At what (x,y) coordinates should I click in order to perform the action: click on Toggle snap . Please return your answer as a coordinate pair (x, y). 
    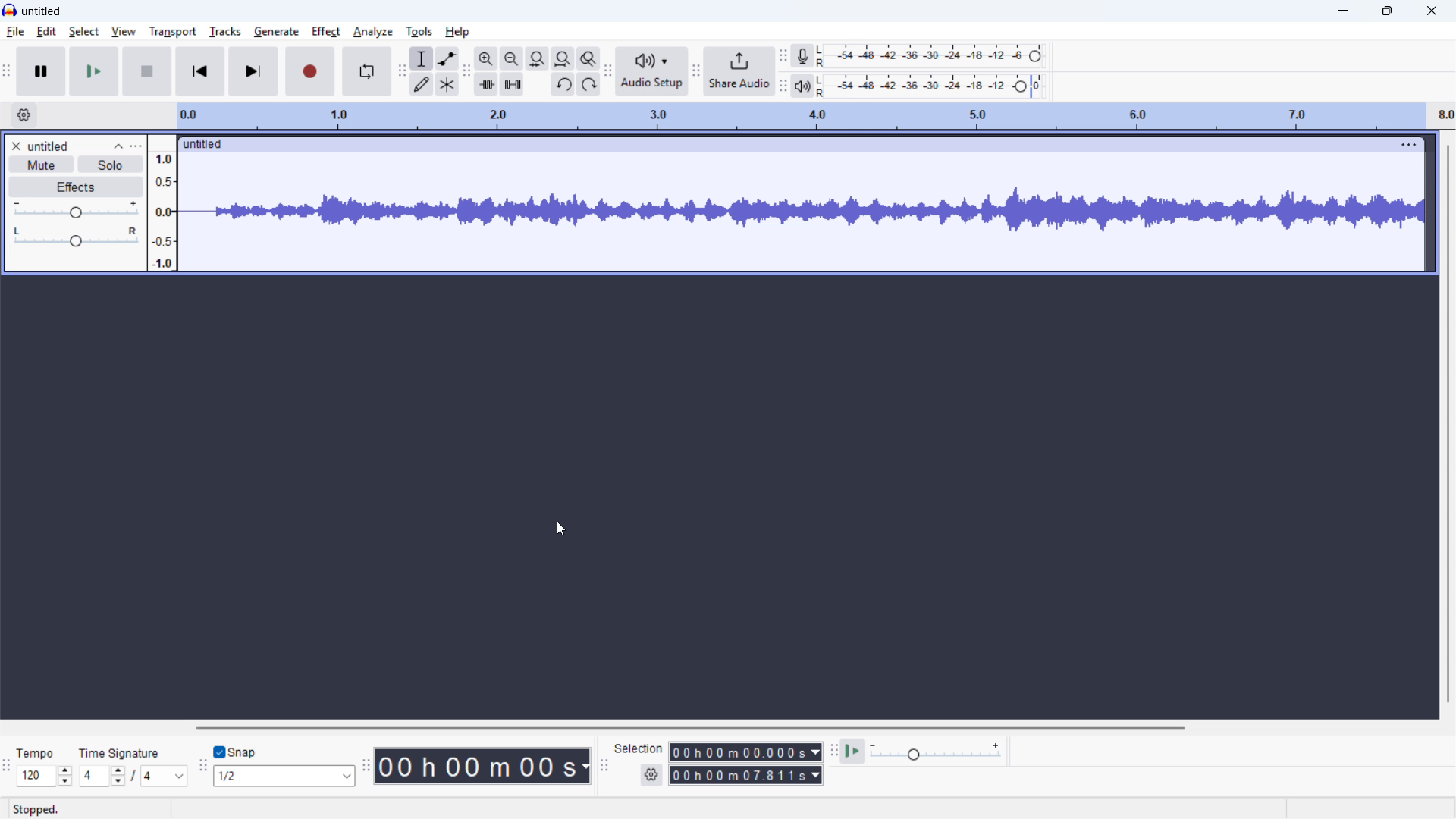
    Looking at the image, I should click on (236, 752).